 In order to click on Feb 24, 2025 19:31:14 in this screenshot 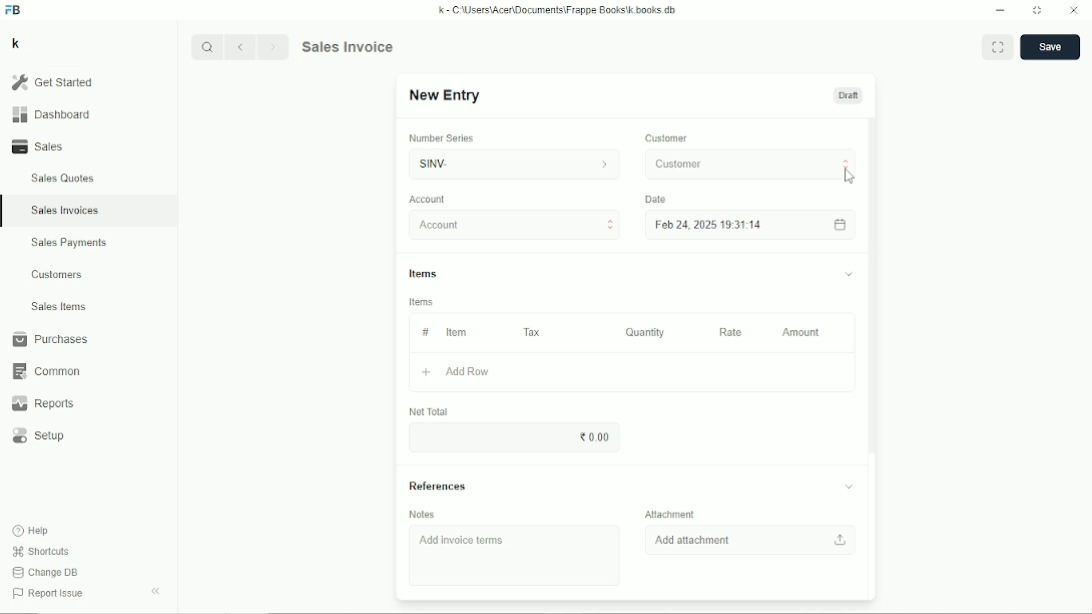, I will do `click(752, 225)`.